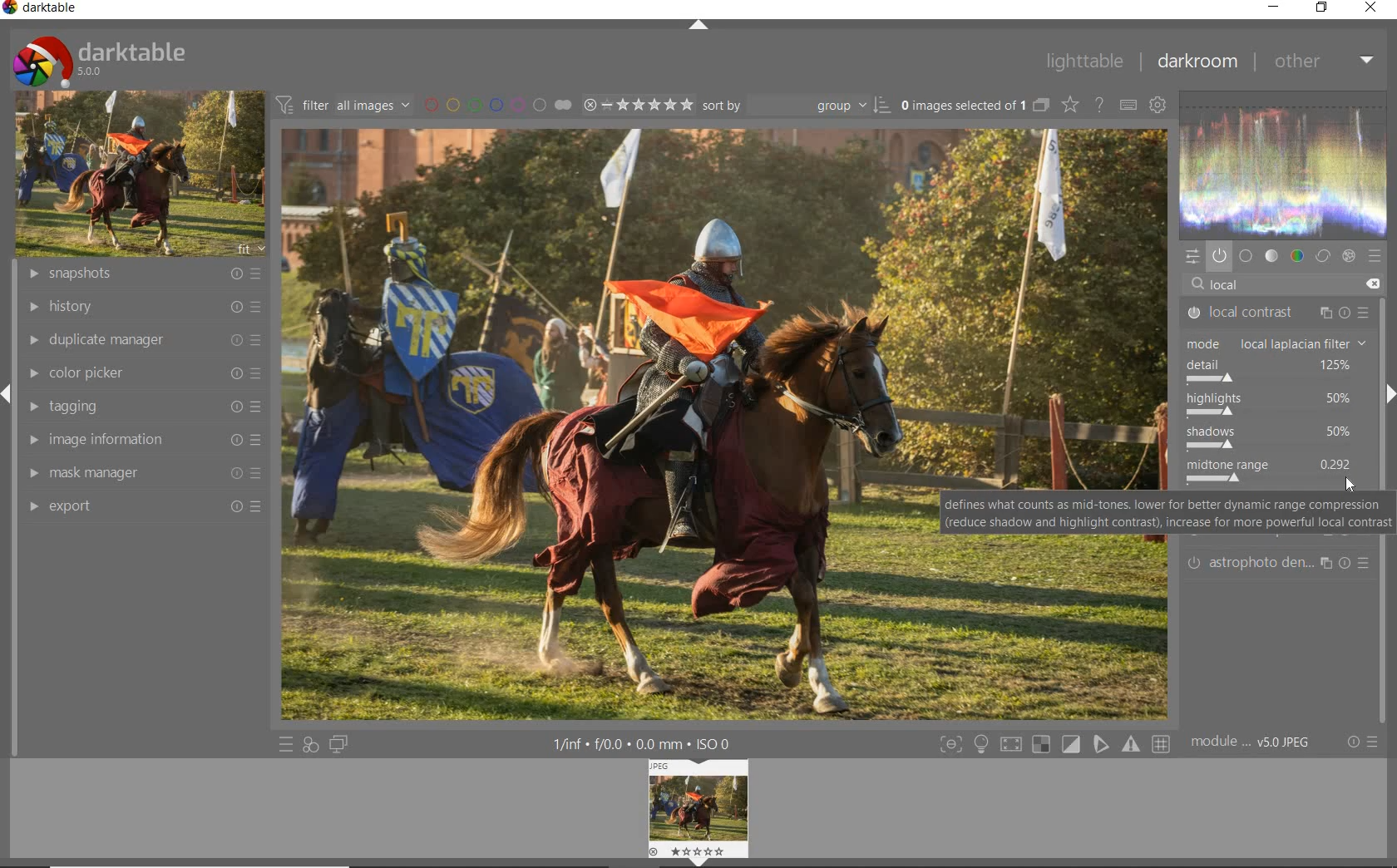 Image resolution: width=1397 pixels, height=868 pixels. Describe the element at coordinates (1323, 10) in the screenshot. I see `restore` at that location.